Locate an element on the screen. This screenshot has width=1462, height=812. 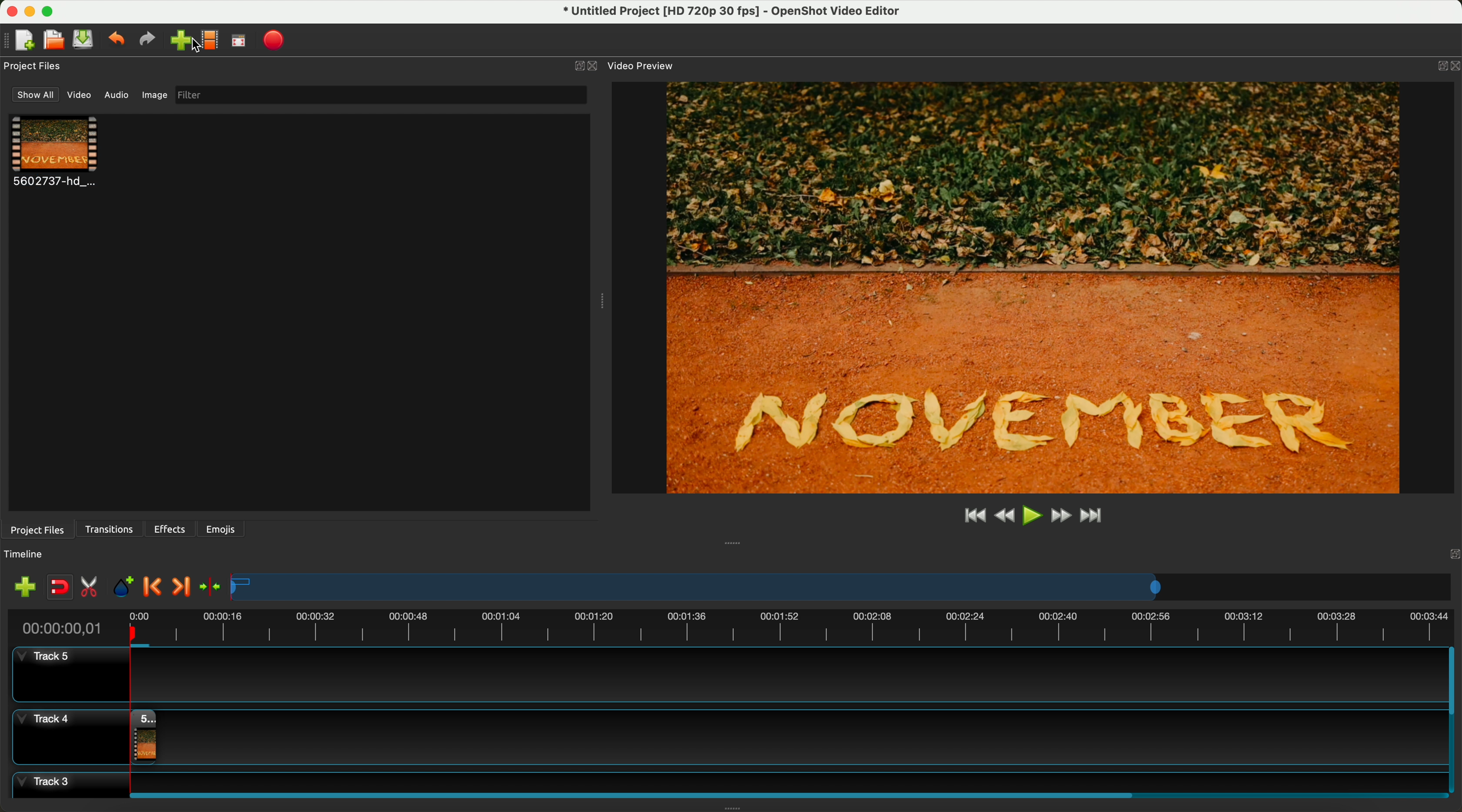
Window Expanding is located at coordinates (602, 301).